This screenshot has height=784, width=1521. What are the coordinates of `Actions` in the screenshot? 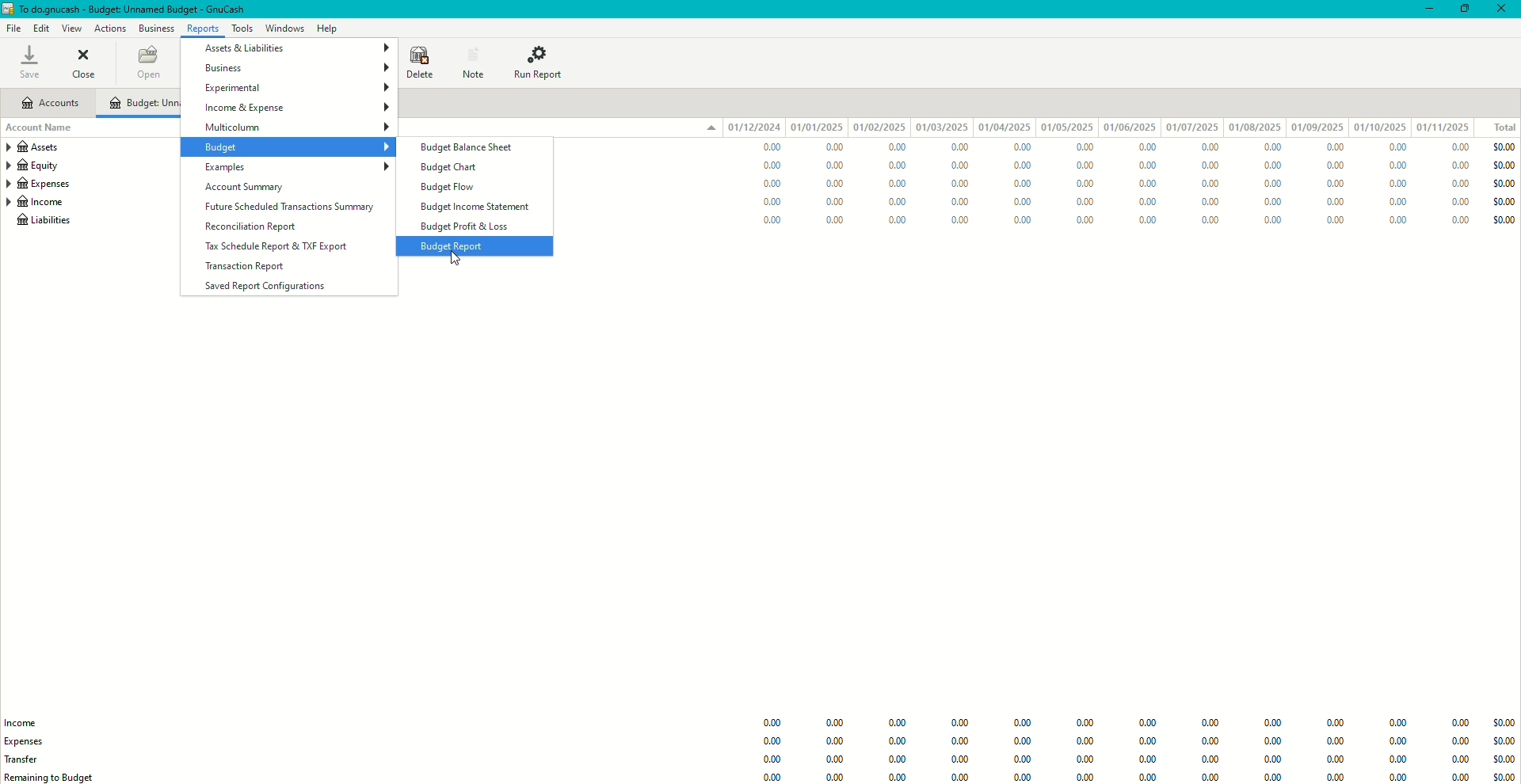 It's located at (109, 27).